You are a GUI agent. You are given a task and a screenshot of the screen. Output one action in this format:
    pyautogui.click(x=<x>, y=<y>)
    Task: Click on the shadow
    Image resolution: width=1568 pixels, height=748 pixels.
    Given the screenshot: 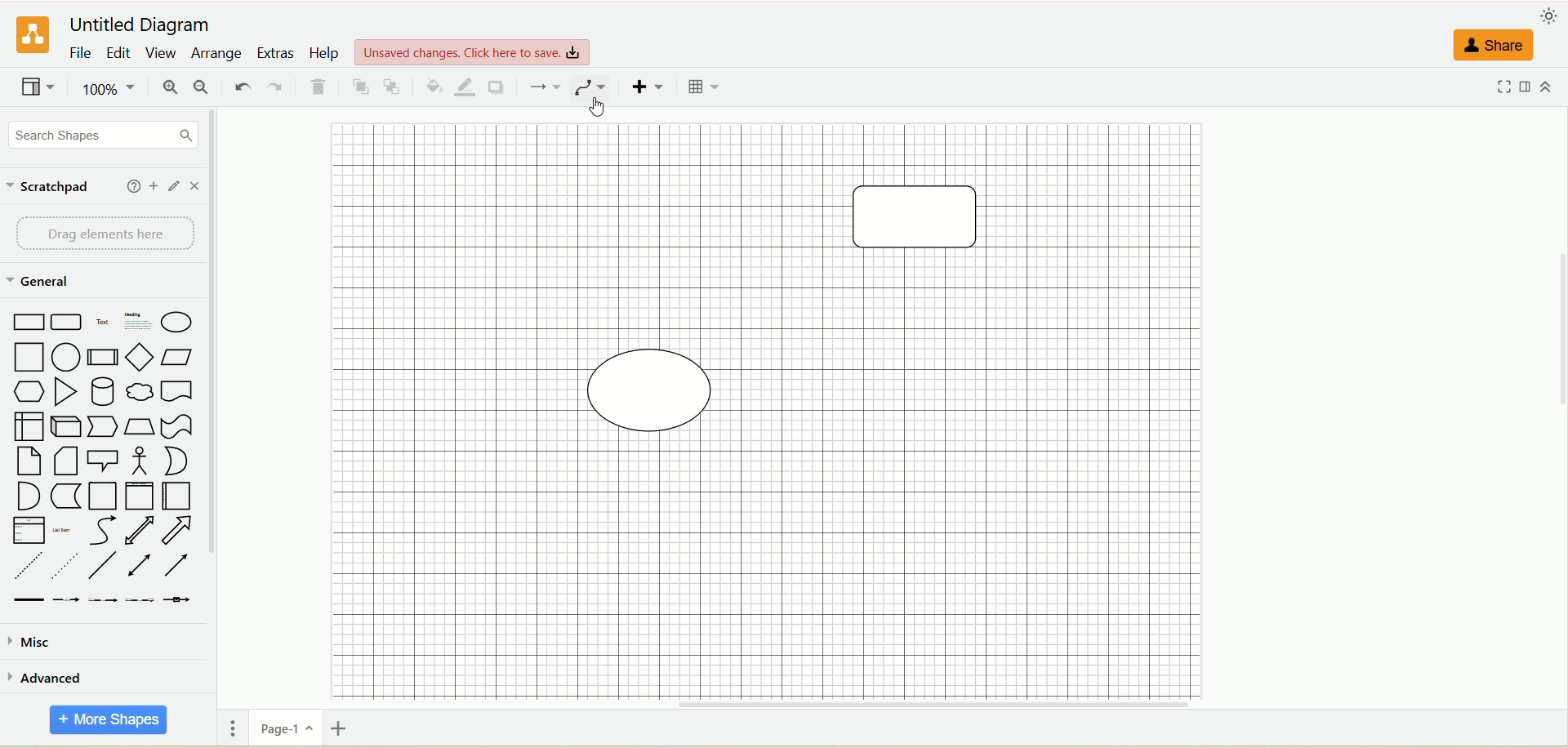 What is the action you would take?
    pyautogui.click(x=501, y=87)
    